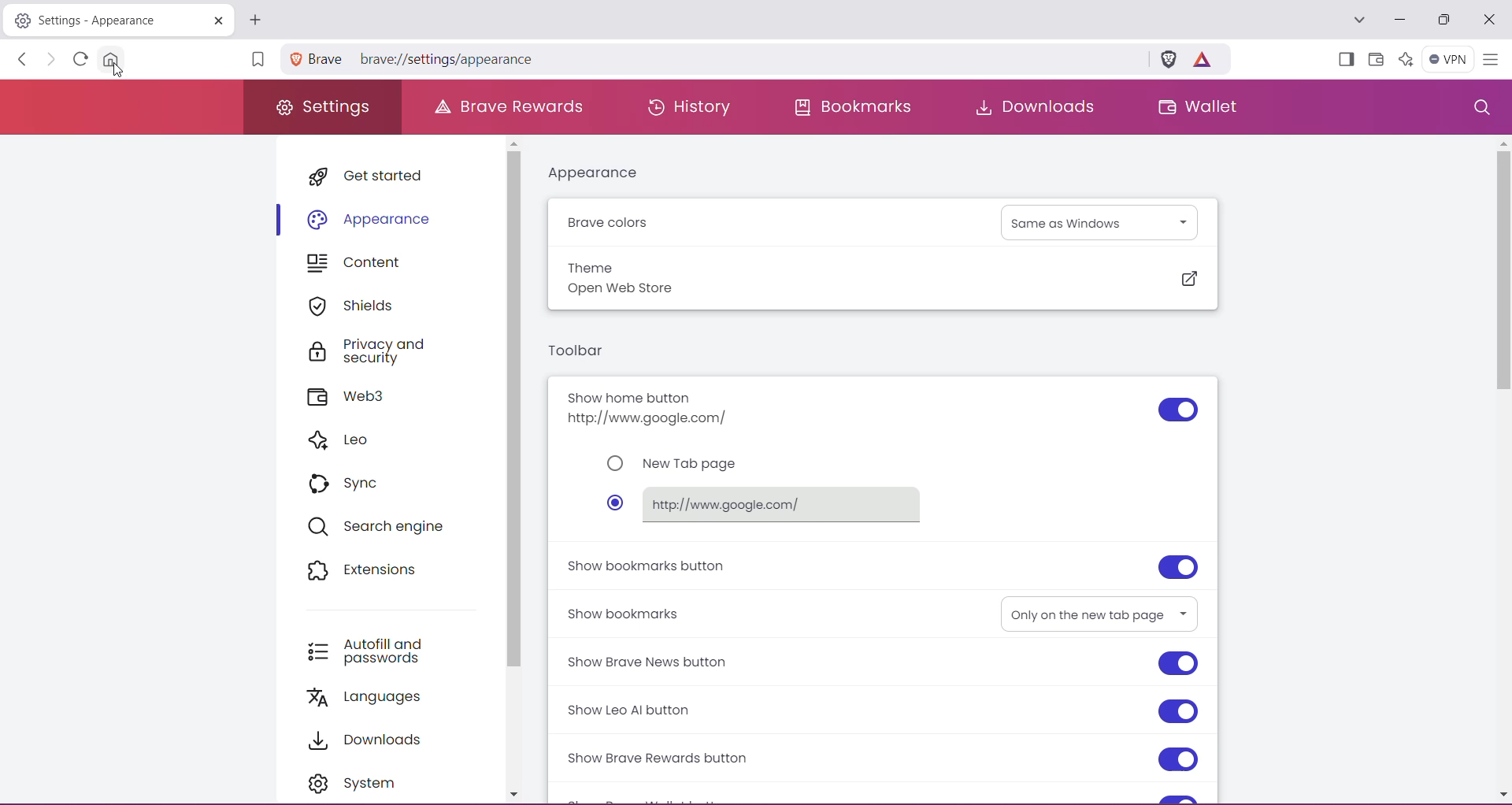 Image resolution: width=1512 pixels, height=805 pixels. I want to click on Site Information, so click(295, 58).